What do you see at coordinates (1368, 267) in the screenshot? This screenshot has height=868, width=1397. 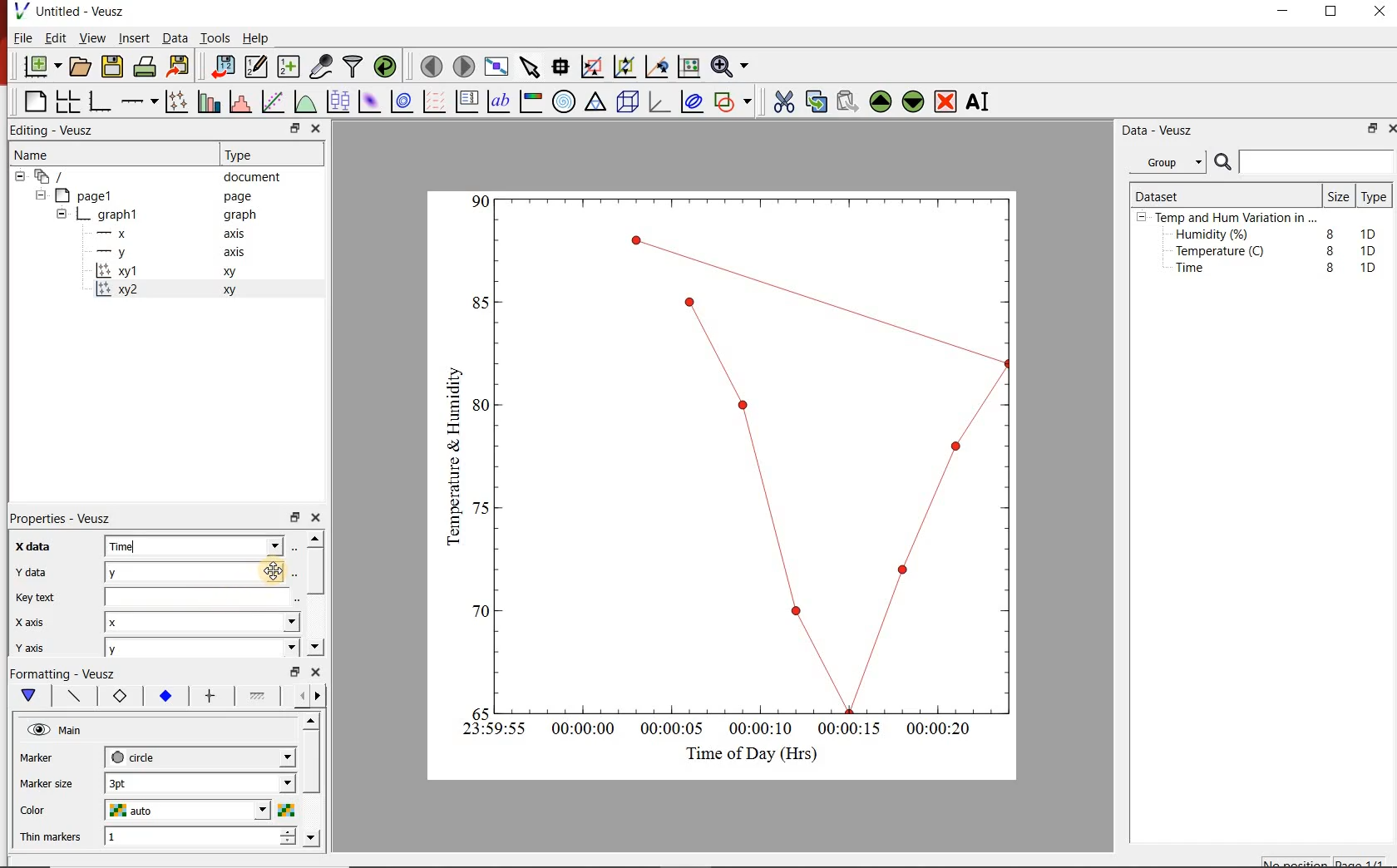 I see `1D` at bounding box center [1368, 267].